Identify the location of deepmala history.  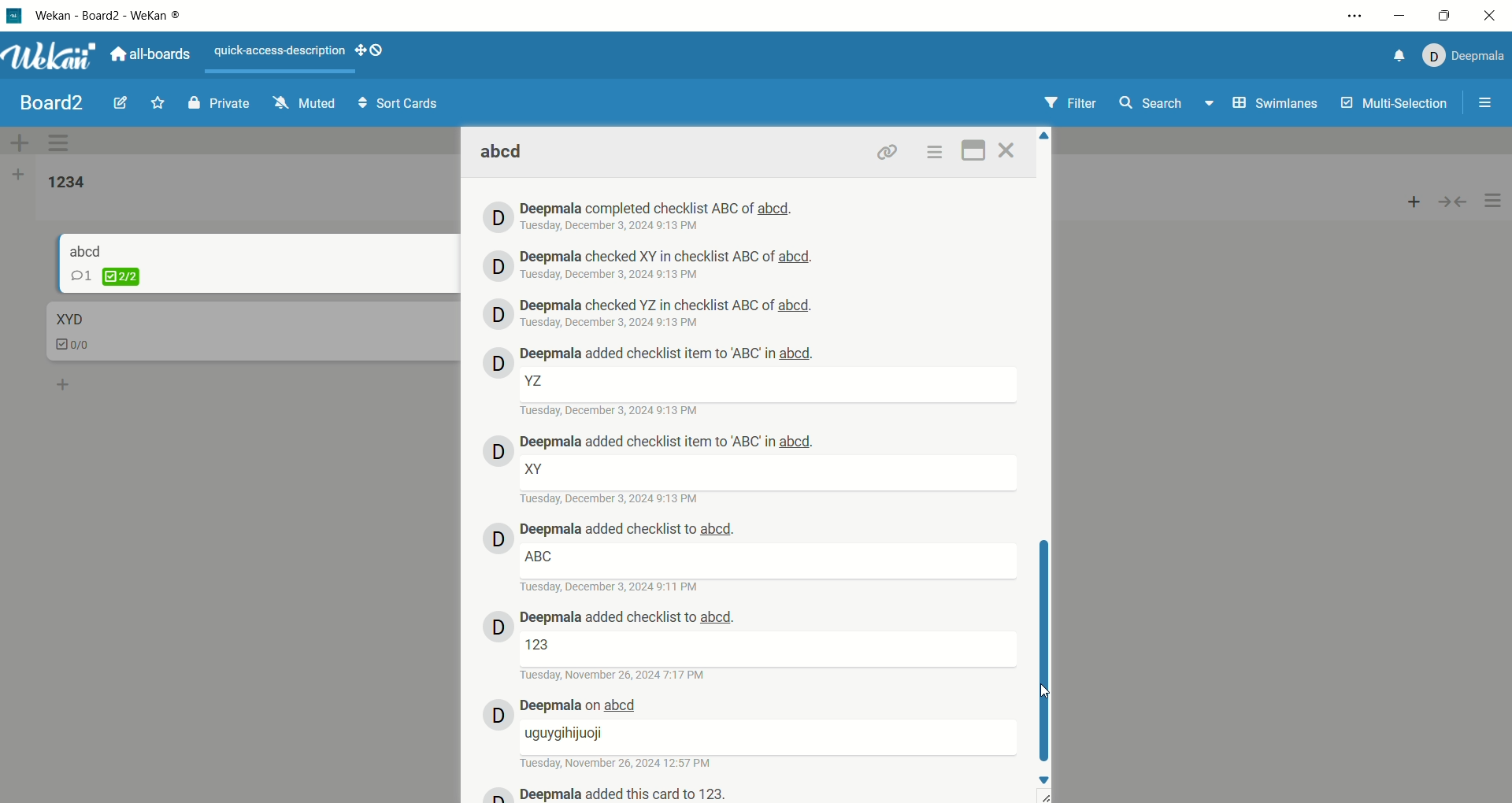
(584, 705).